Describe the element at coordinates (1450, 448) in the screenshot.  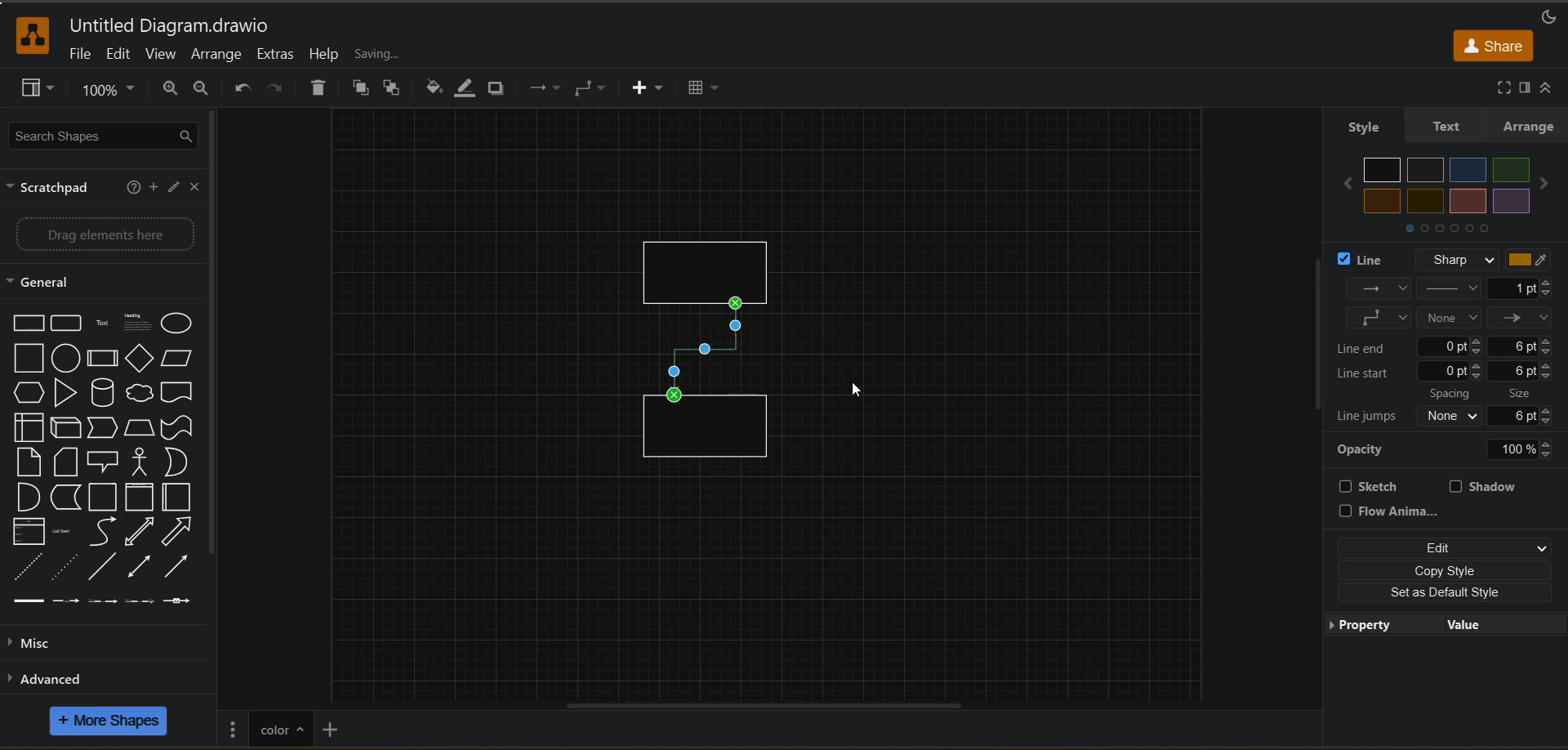
I see `opacity` at that location.